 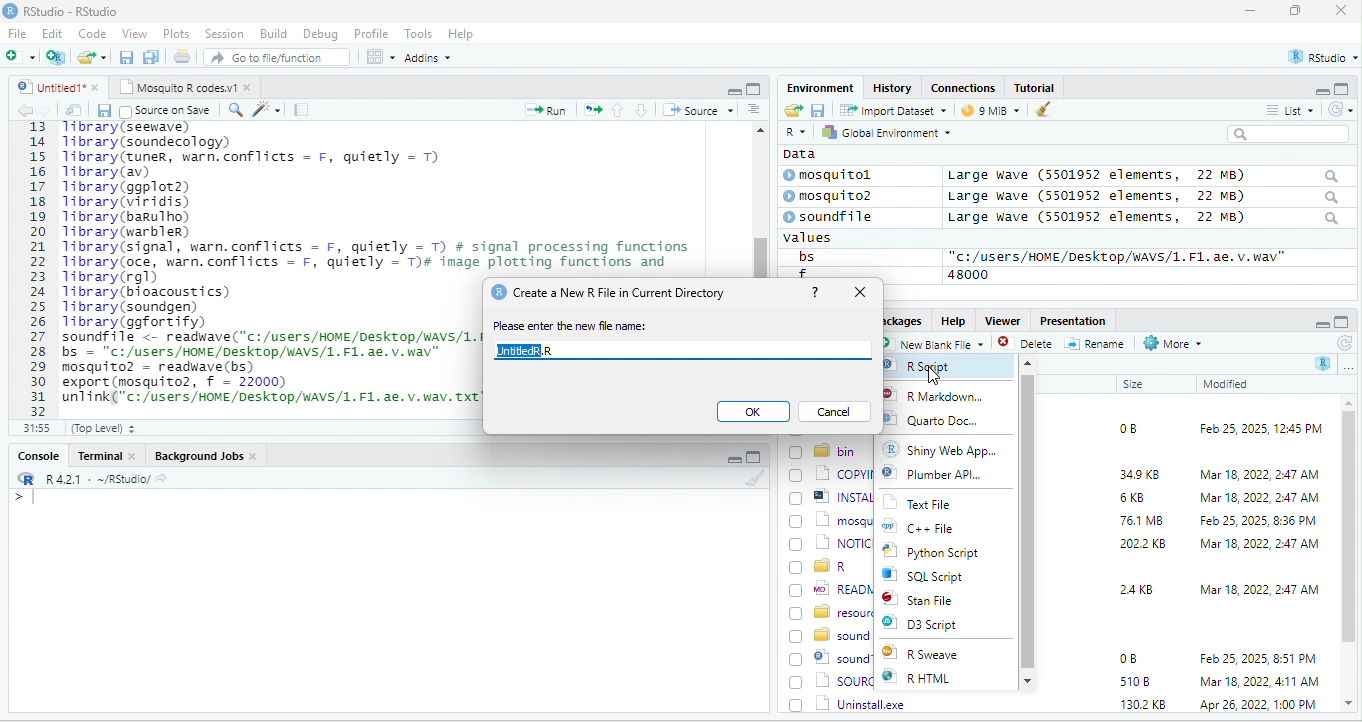 I want to click on 349K8, so click(x=1140, y=475).